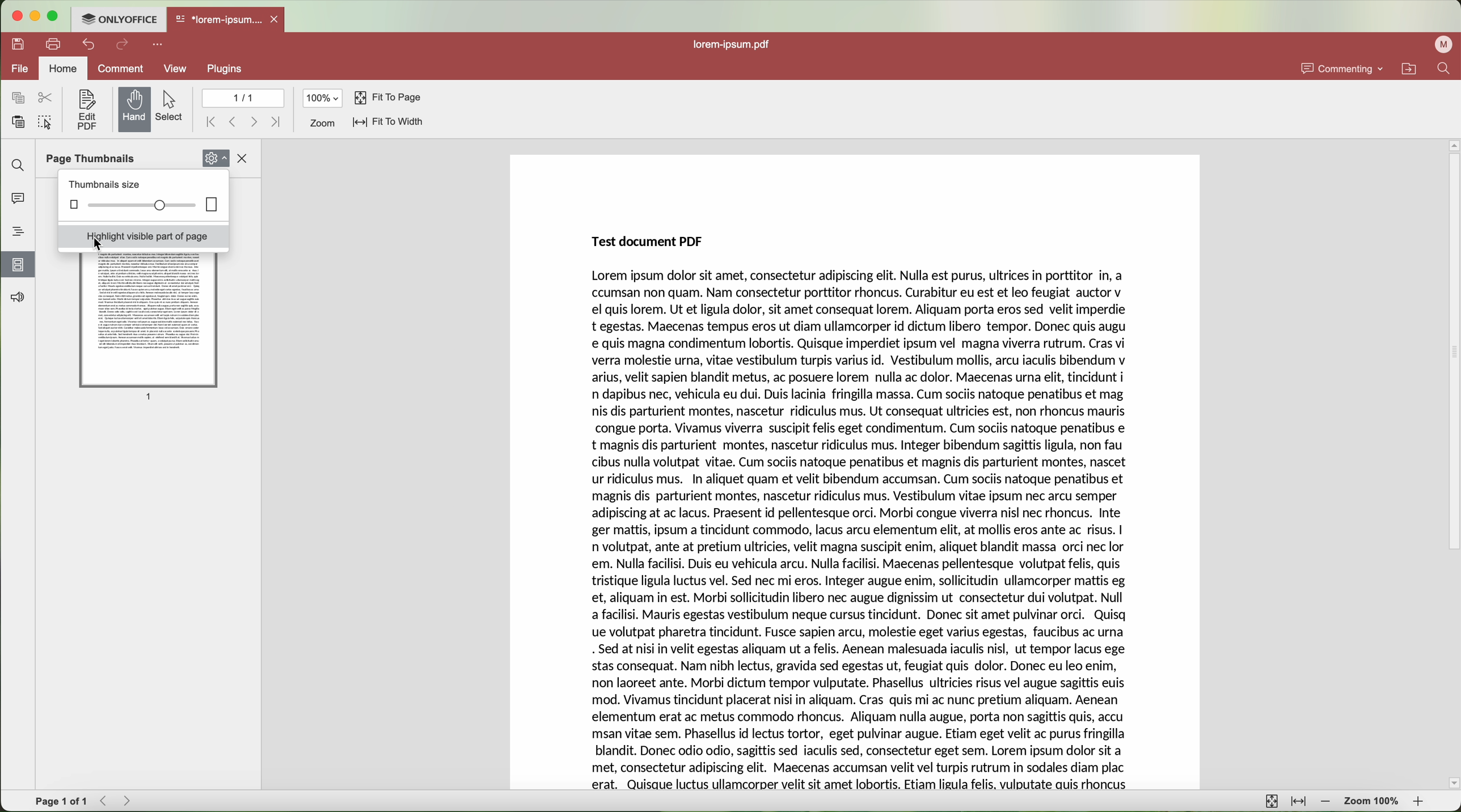 The height and width of the screenshot is (812, 1461). What do you see at coordinates (123, 46) in the screenshot?
I see `redo` at bounding box center [123, 46].